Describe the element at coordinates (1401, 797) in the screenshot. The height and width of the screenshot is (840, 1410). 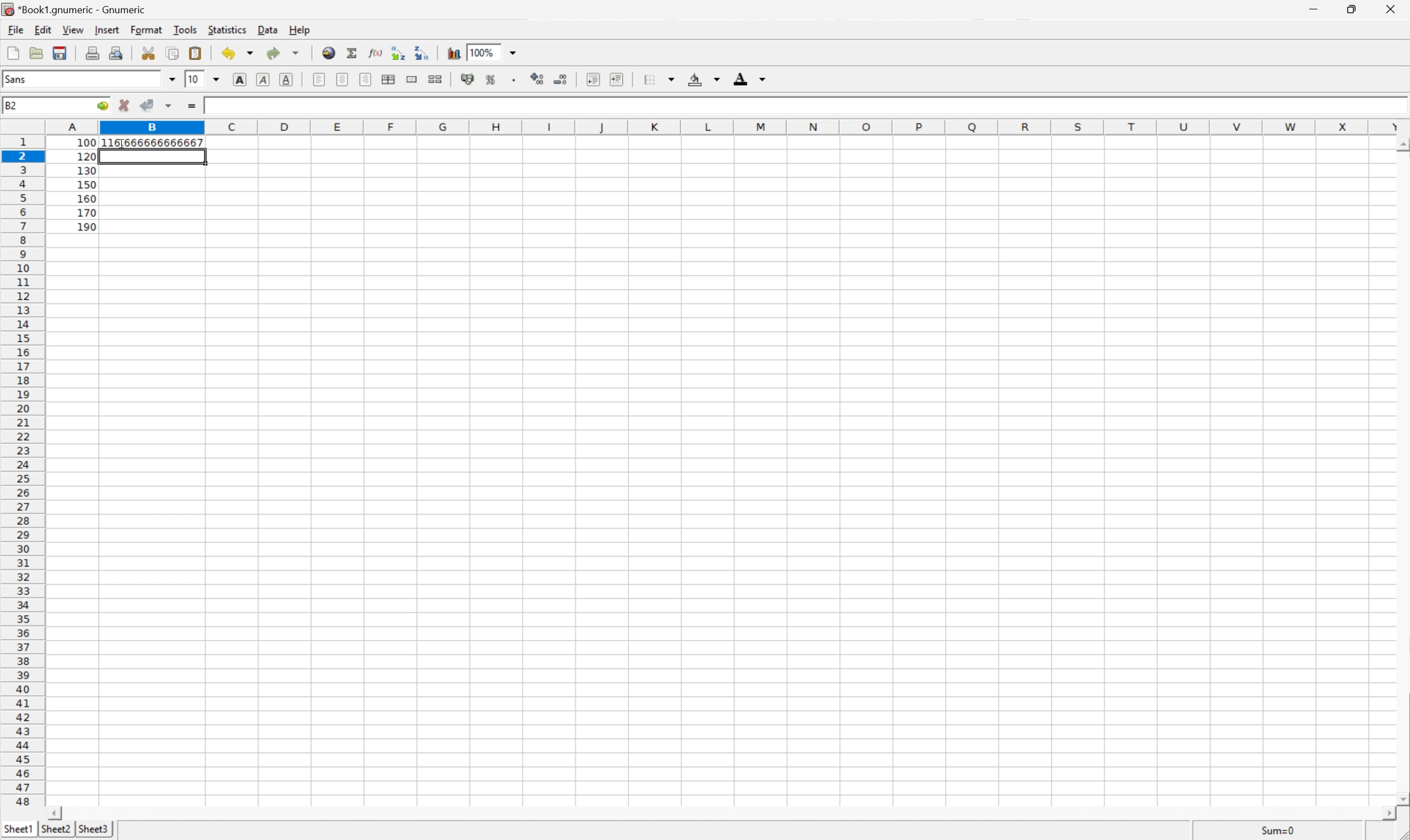
I see `Scroll Down` at that location.